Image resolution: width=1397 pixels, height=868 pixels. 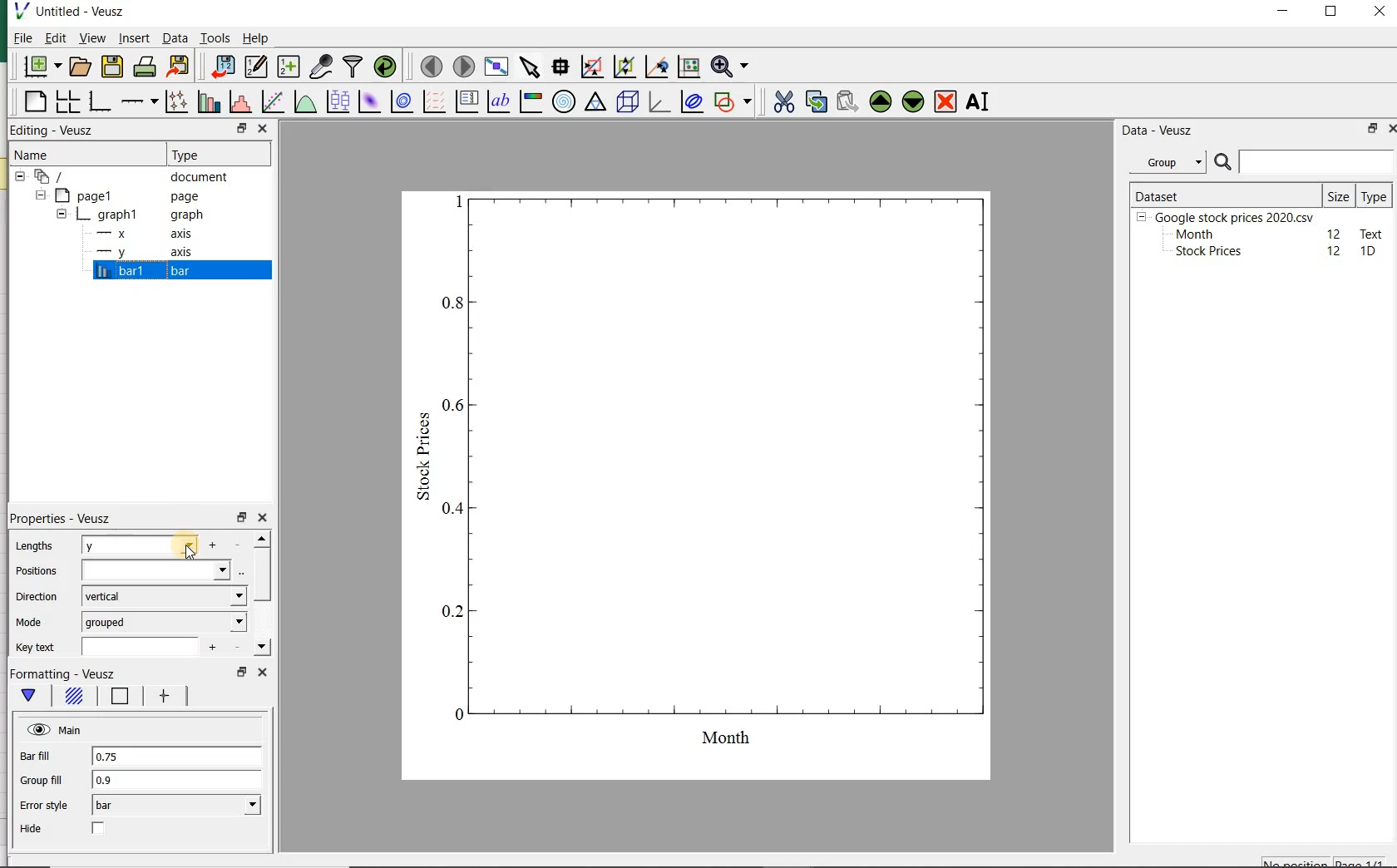 What do you see at coordinates (36, 649) in the screenshot?
I see `Key text` at bounding box center [36, 649].